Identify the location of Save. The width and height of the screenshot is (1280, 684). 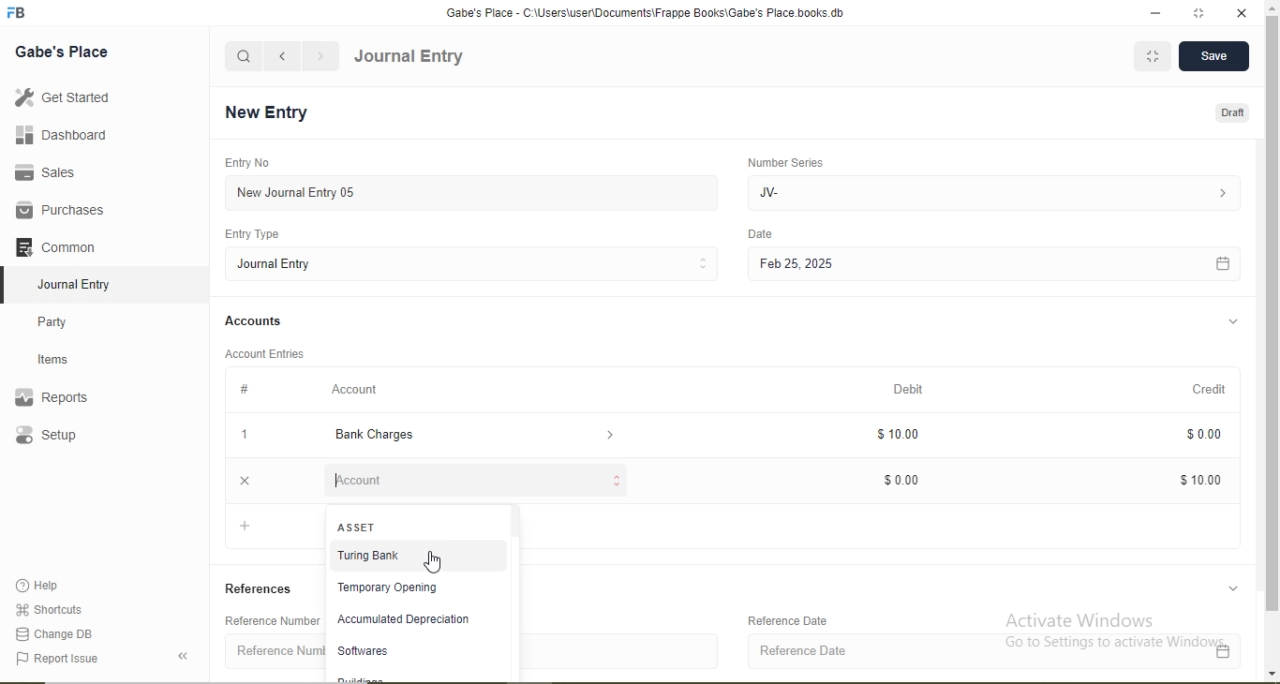
(1212, 58).